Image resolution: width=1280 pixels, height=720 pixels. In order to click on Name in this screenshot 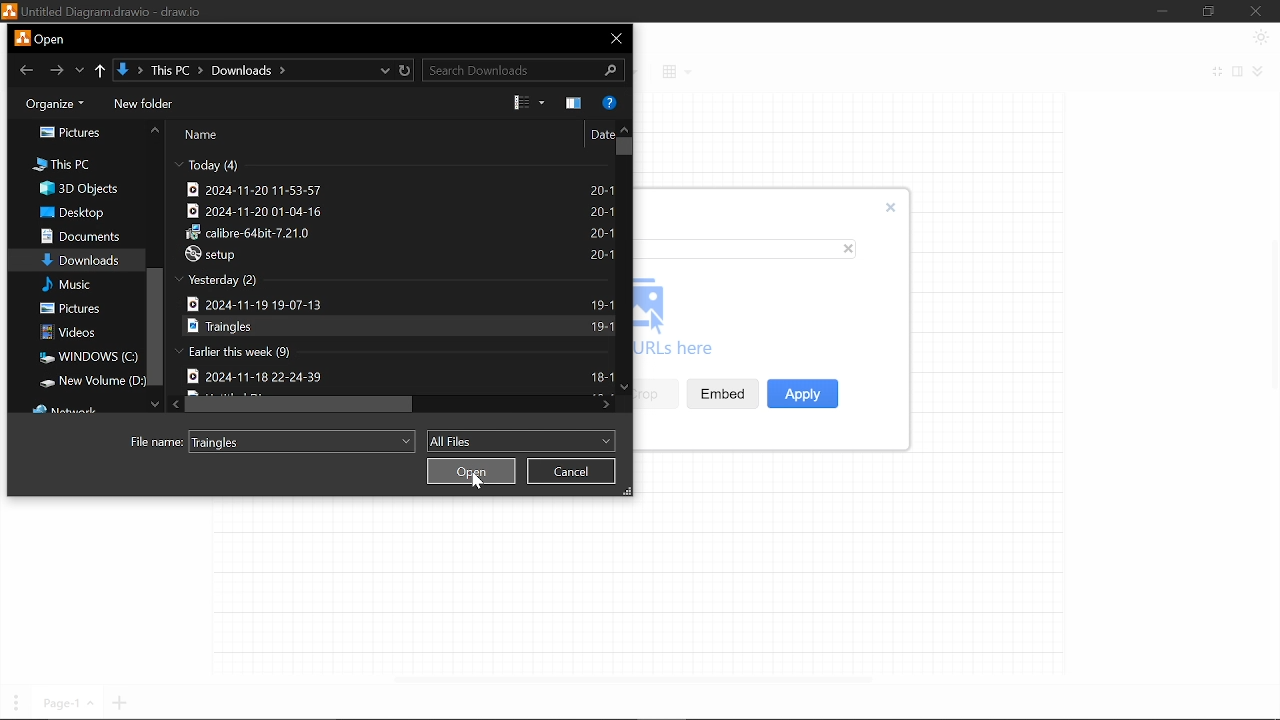, I will do `click(205, 136)`.